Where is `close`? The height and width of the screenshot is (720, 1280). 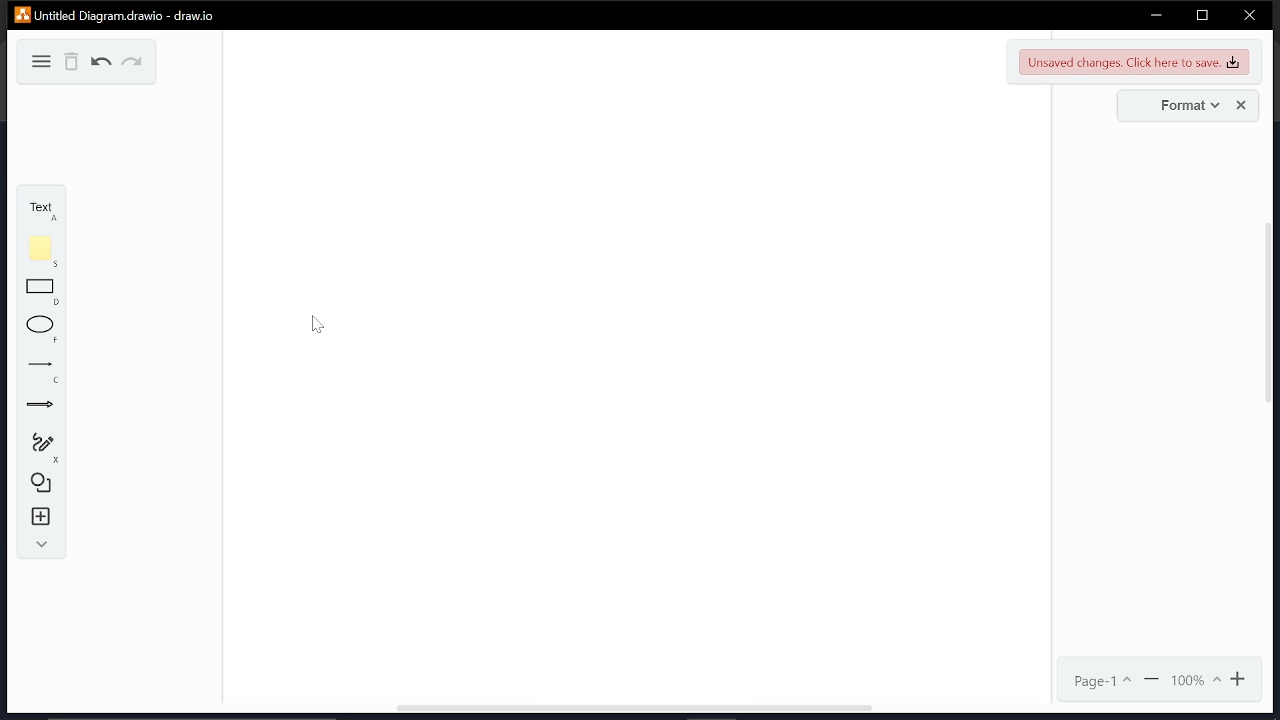 close is located at coordinates (1249, 17).